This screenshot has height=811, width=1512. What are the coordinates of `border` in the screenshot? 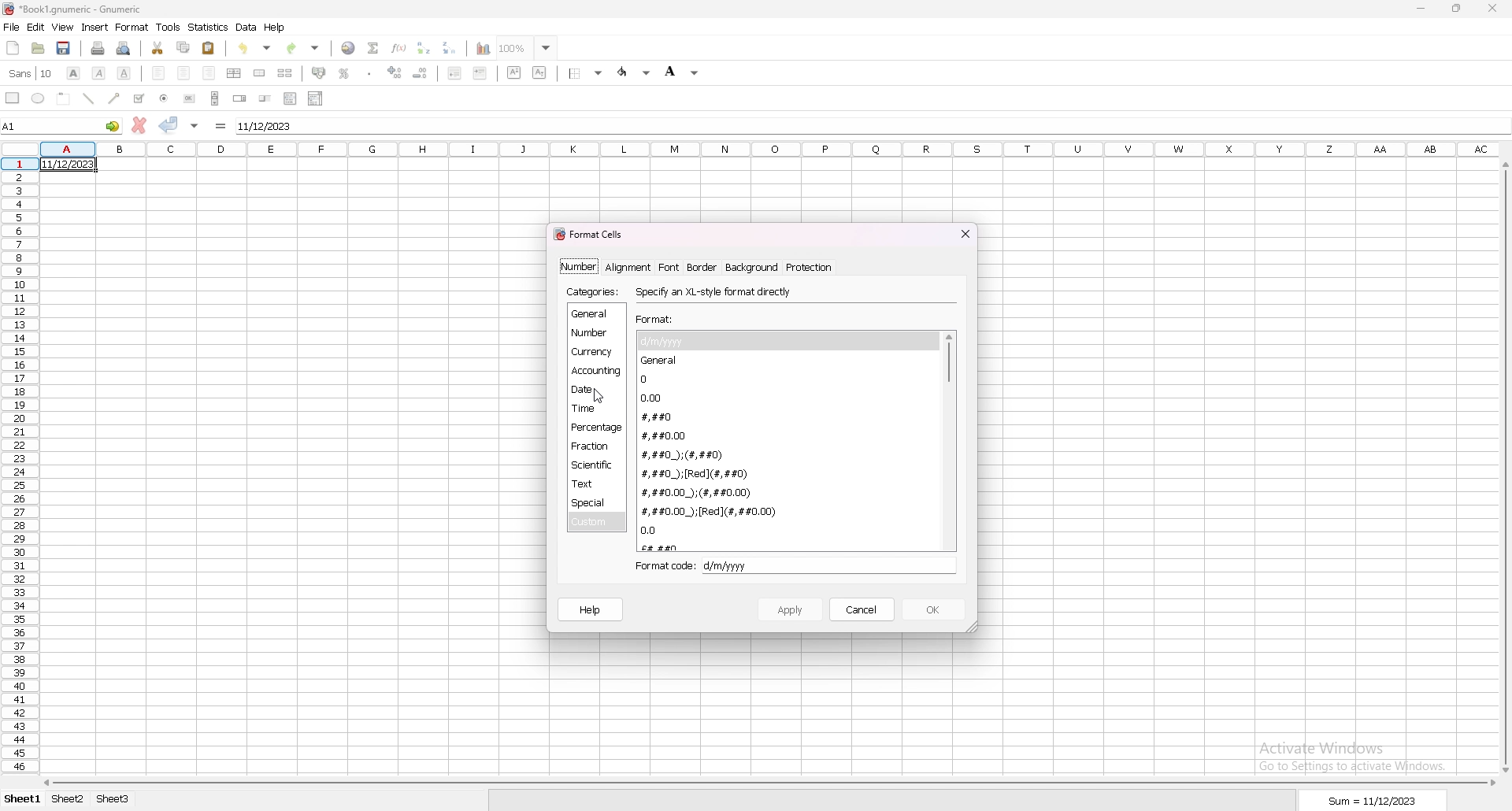 It's located at (586, 74).